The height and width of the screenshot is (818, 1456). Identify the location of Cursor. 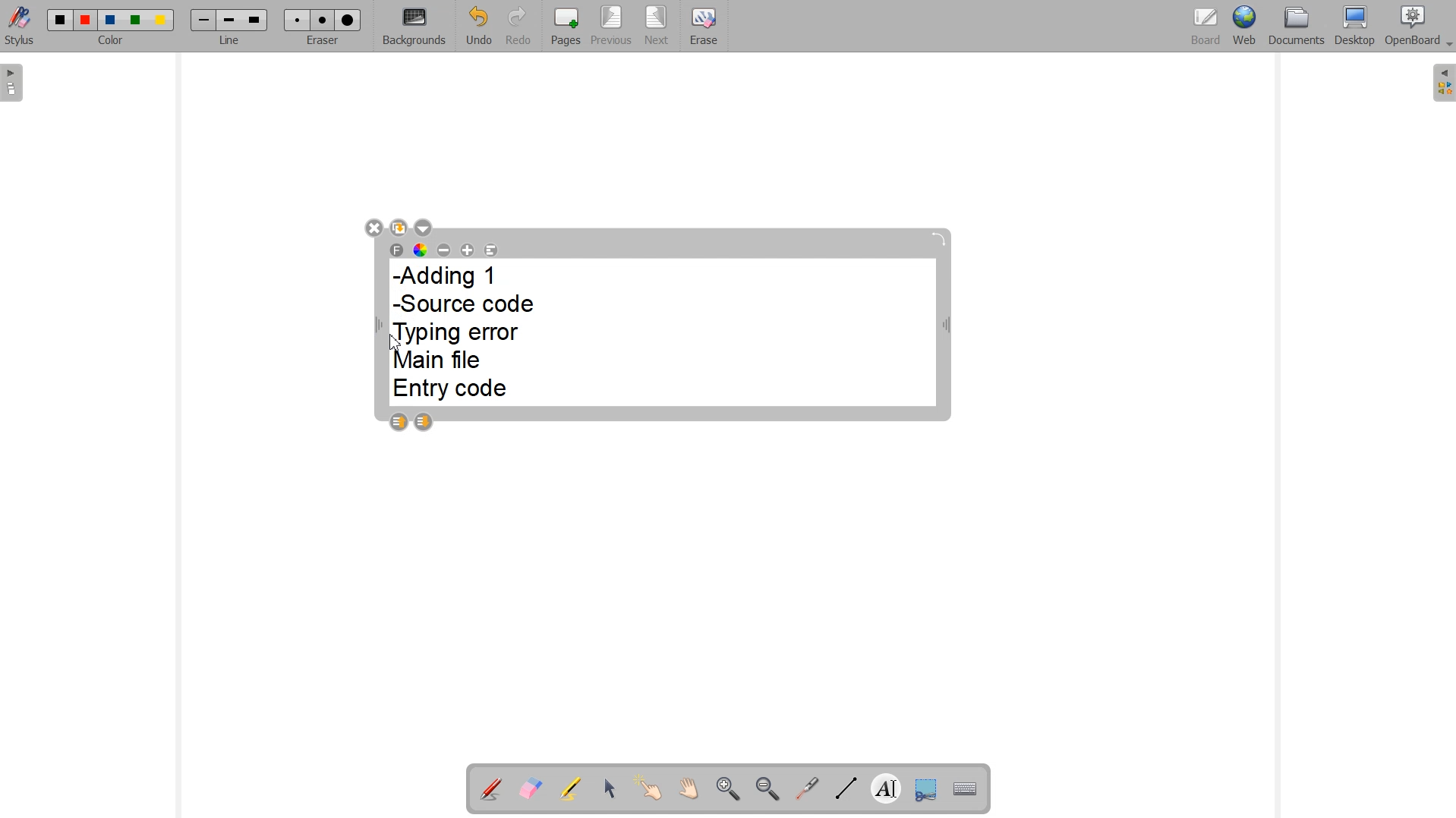
(395, 342).